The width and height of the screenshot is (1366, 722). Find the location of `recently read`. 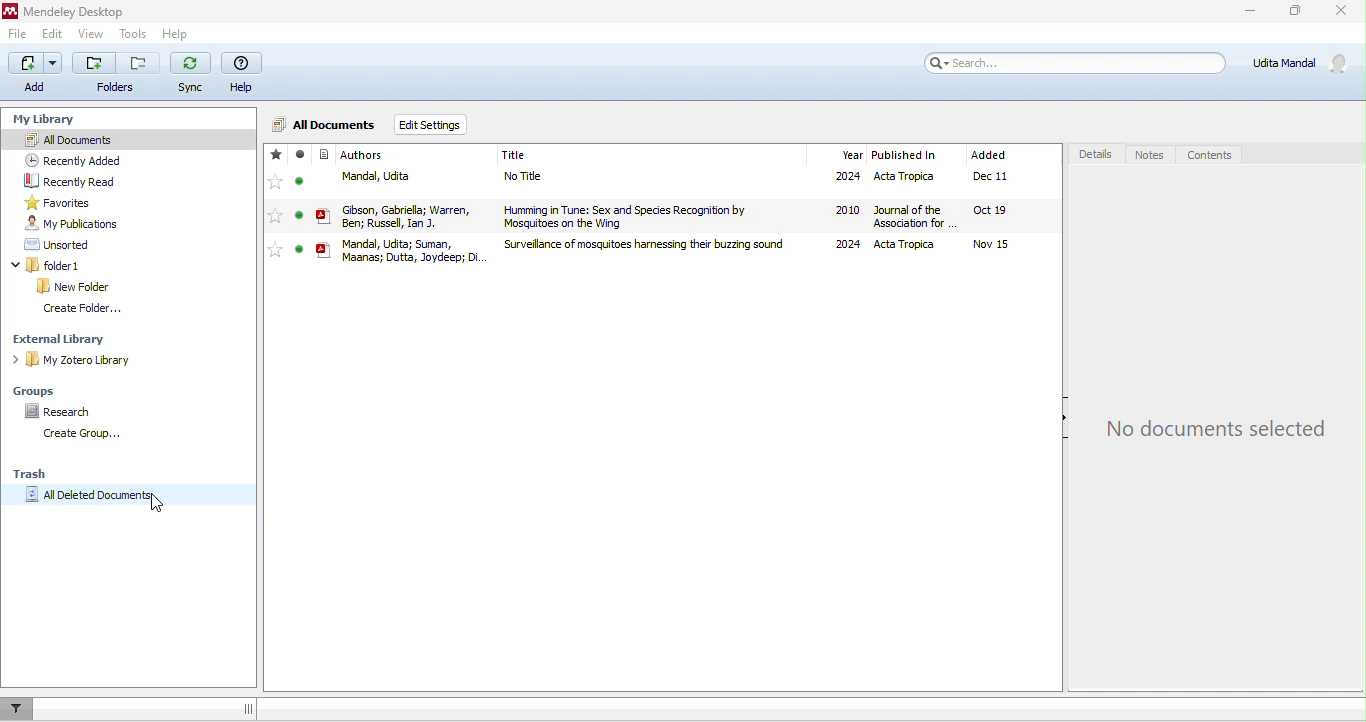

recently read is located at coordinates (94, 180).